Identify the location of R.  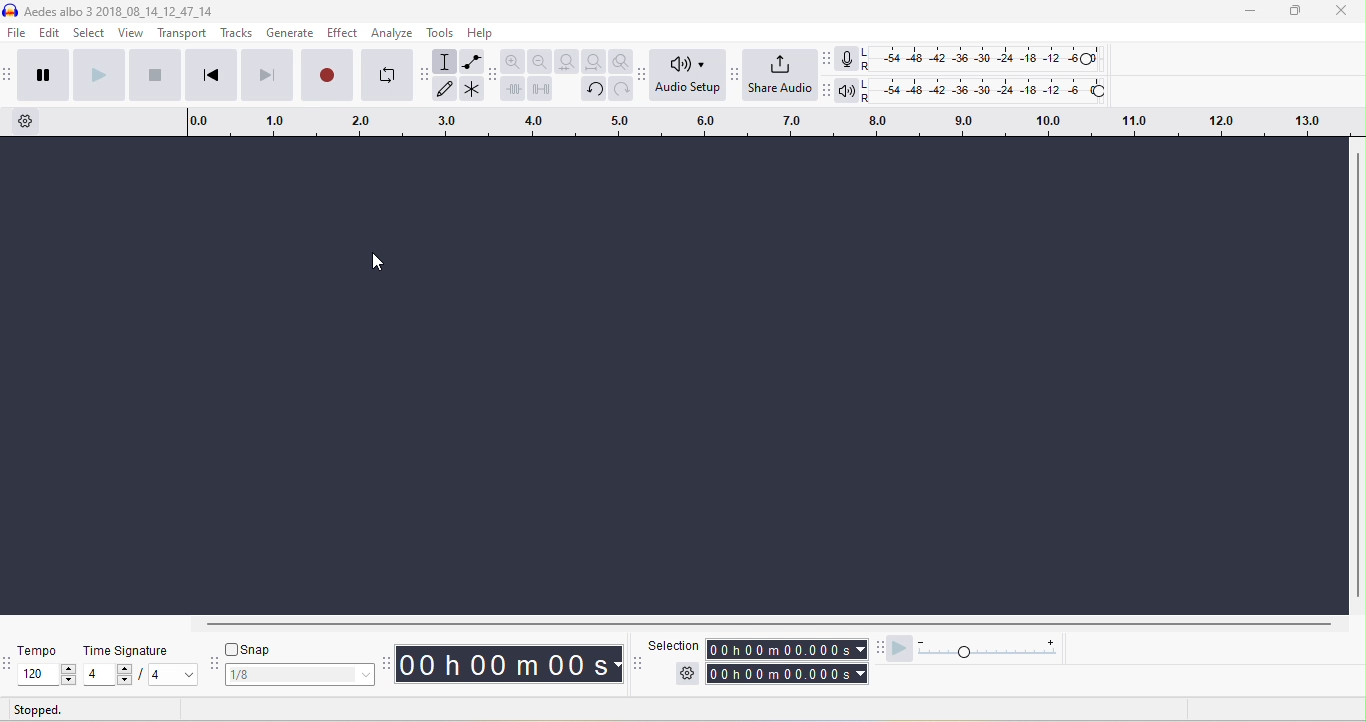
(869, 98).